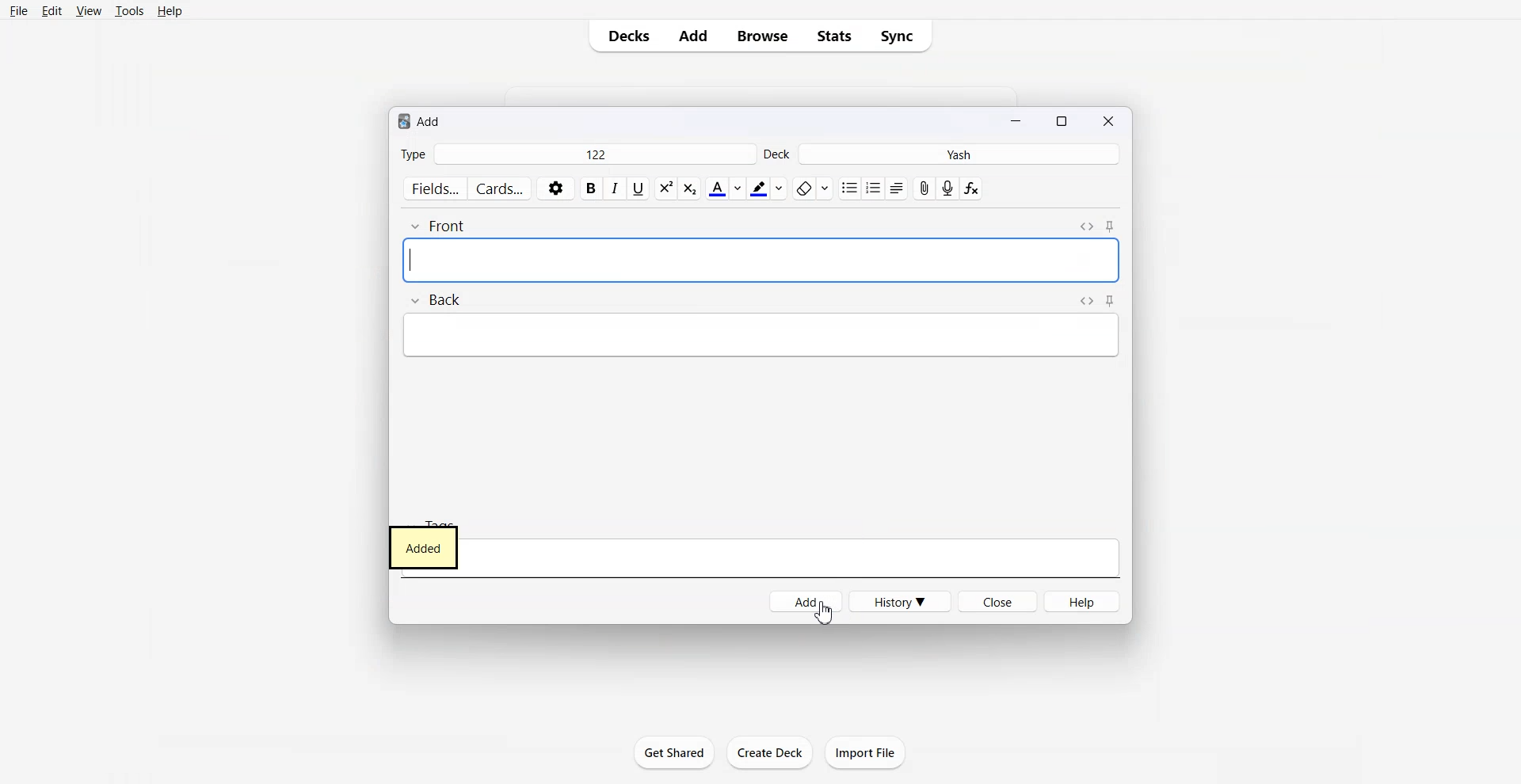  I want to click on Add, so click(692, 36).